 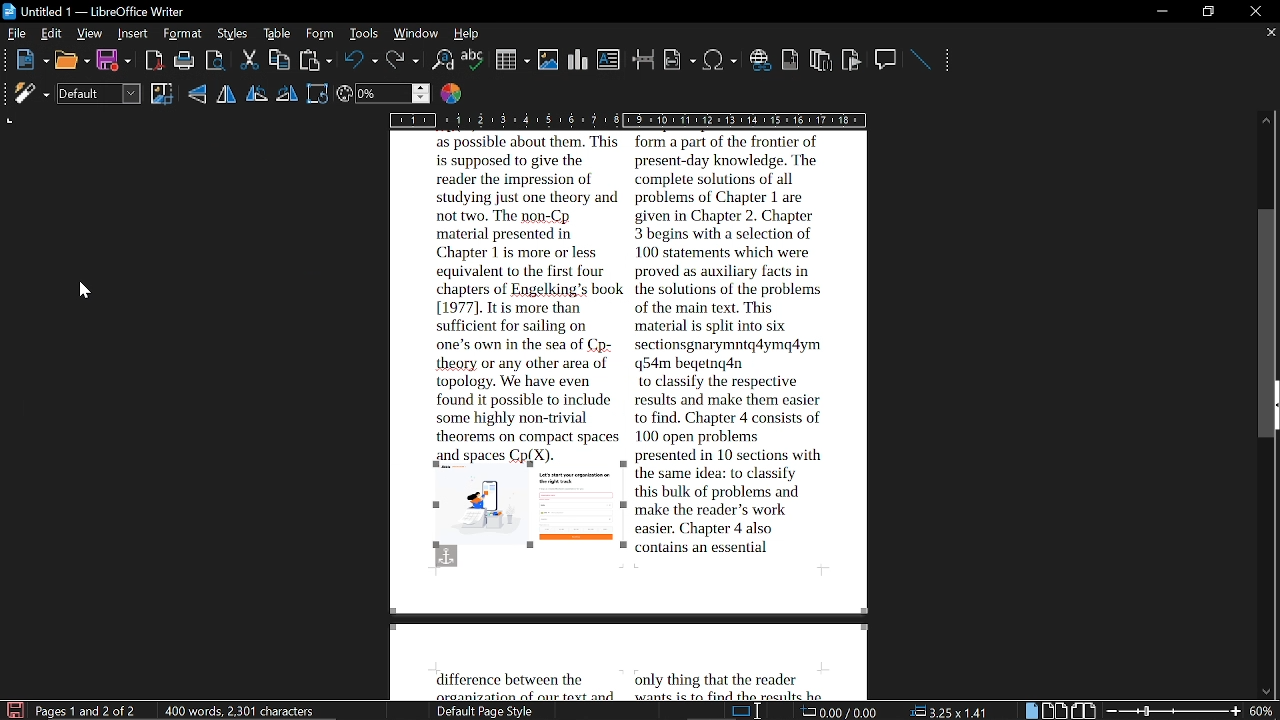 What do you see at coordinates (414, 33) in the screenshot?
I see `window` at bounding box center [414, 33].